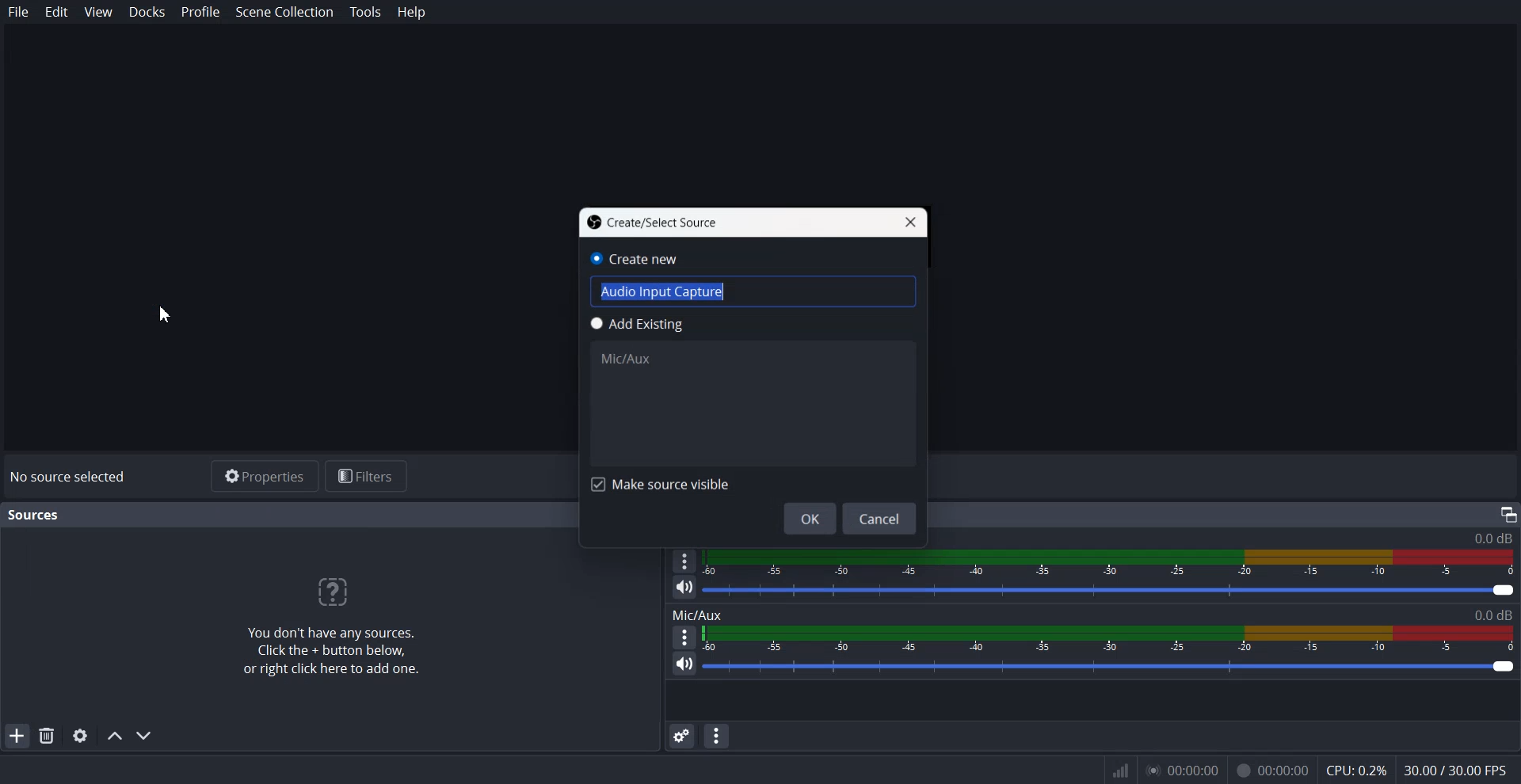 Image resolution: width=1521 pixels, height=784 pixels. Describe the element at coordinates (1111, 666) in the screenshot. I see `Volume level adjuster` at that location.